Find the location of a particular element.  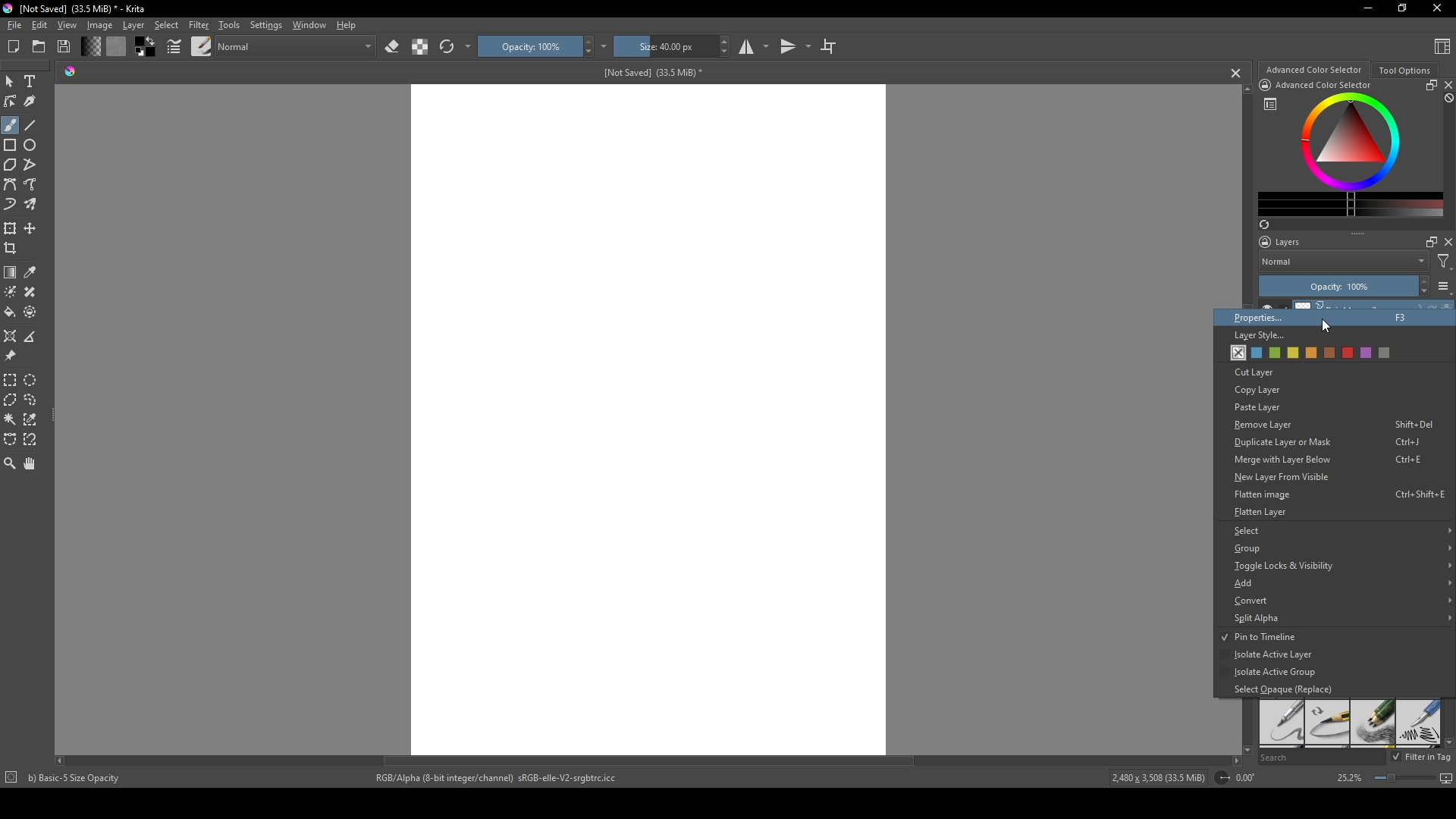

pan is located at coordinates (31, 463).